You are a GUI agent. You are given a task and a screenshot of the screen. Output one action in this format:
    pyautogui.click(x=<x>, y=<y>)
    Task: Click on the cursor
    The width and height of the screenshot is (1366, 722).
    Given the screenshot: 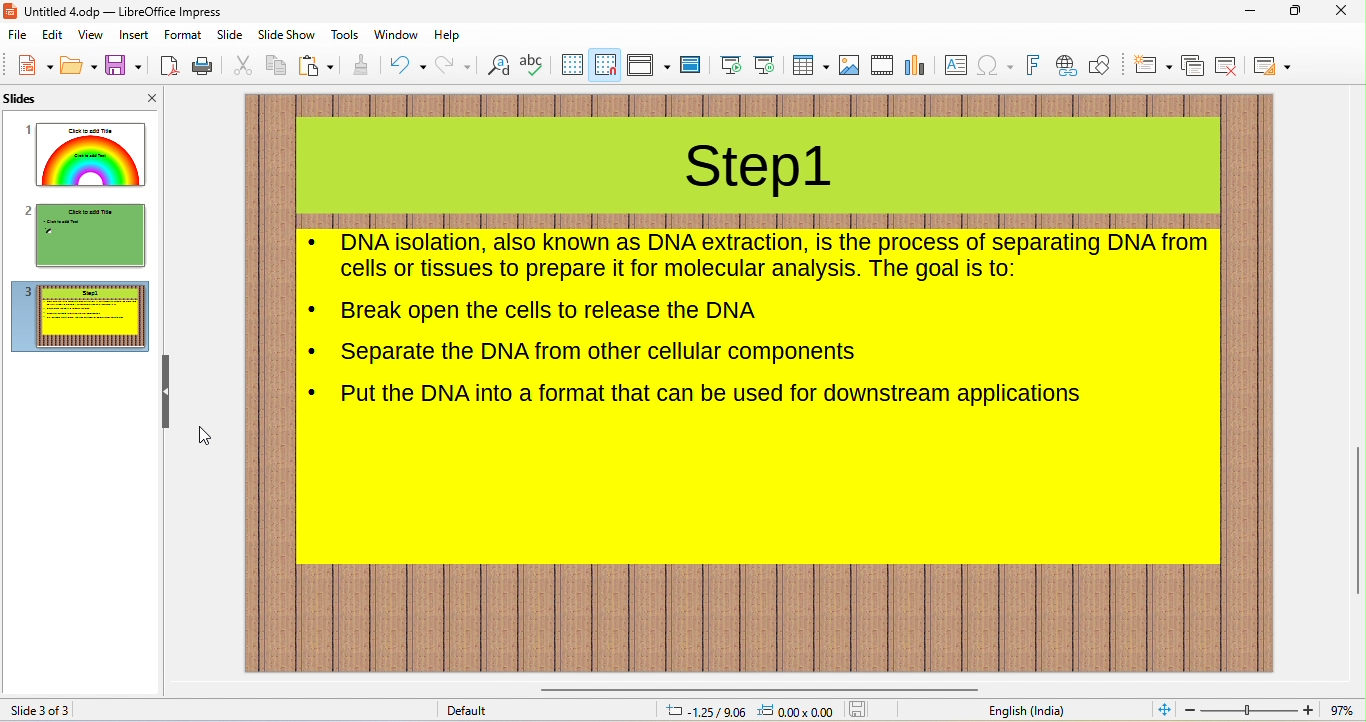 What is the action you would take?
    pyautogui.click(x=207, y=436)
    